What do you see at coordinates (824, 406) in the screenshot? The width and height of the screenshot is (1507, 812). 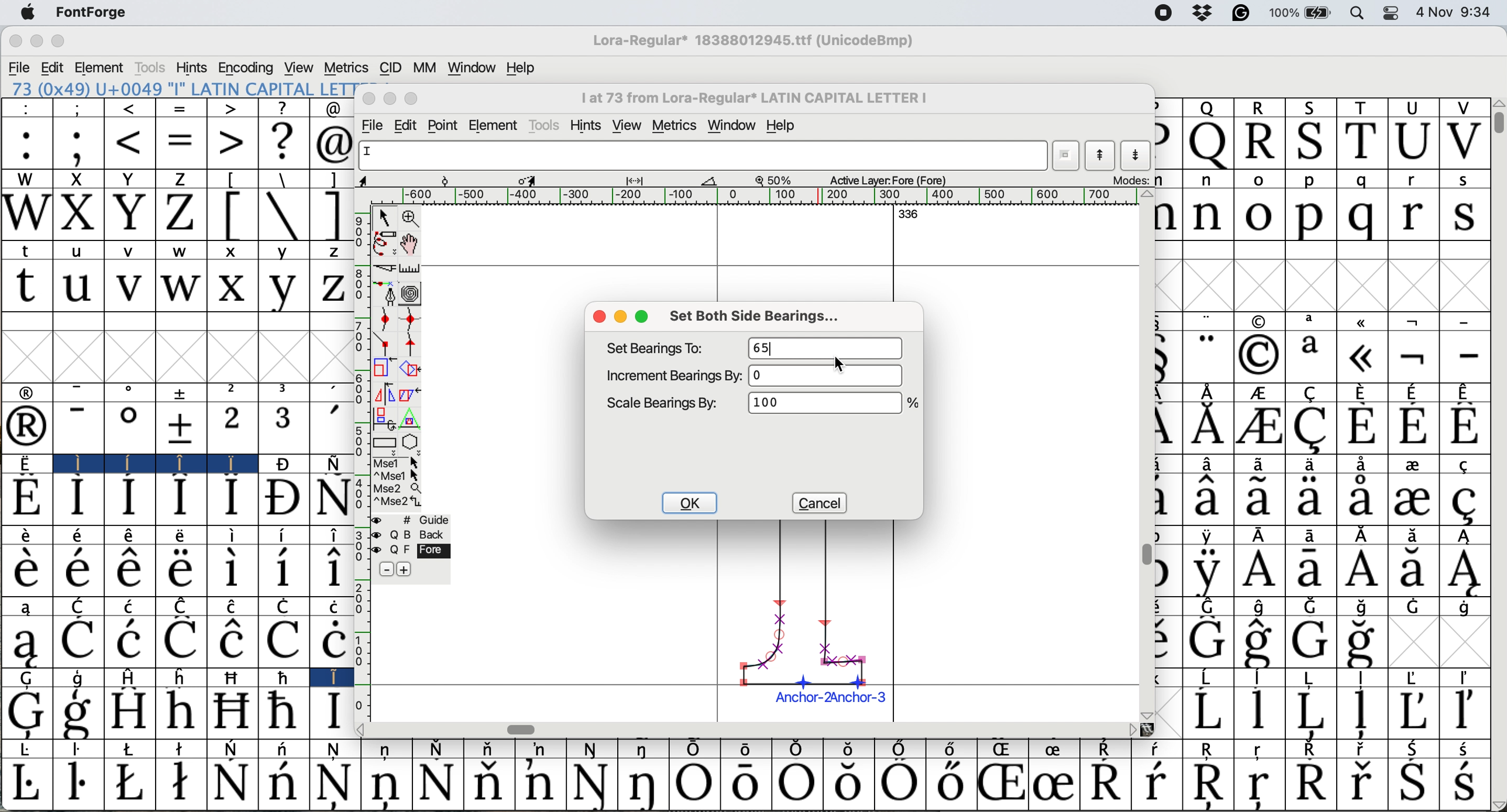 I see `1000%` at bounding box center [824, 406].